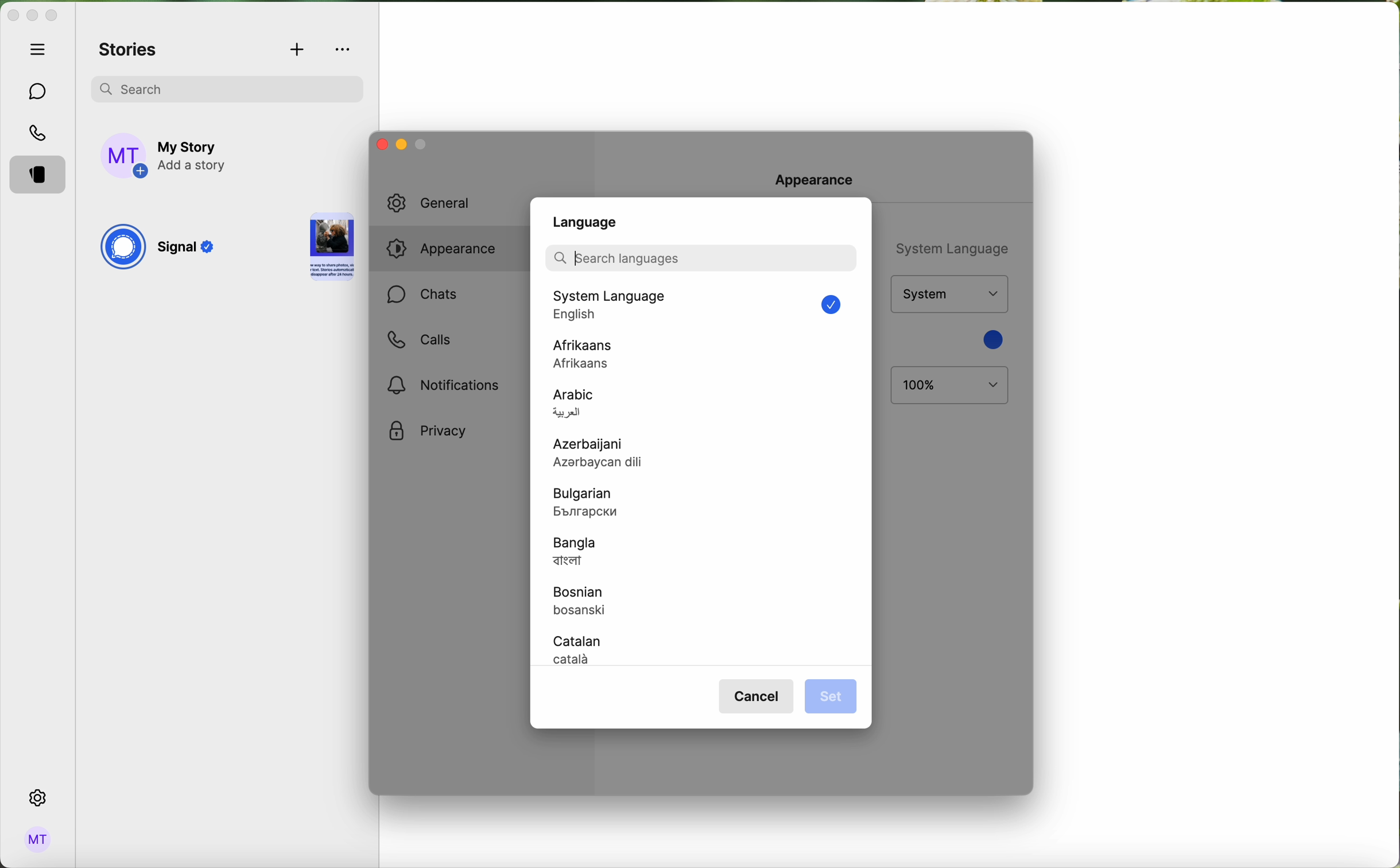 The image size is (1400, 868). What do you see at coordinates (12, 16) in the screenshot?
I see `close Signal` at bounding box center [12, 16].